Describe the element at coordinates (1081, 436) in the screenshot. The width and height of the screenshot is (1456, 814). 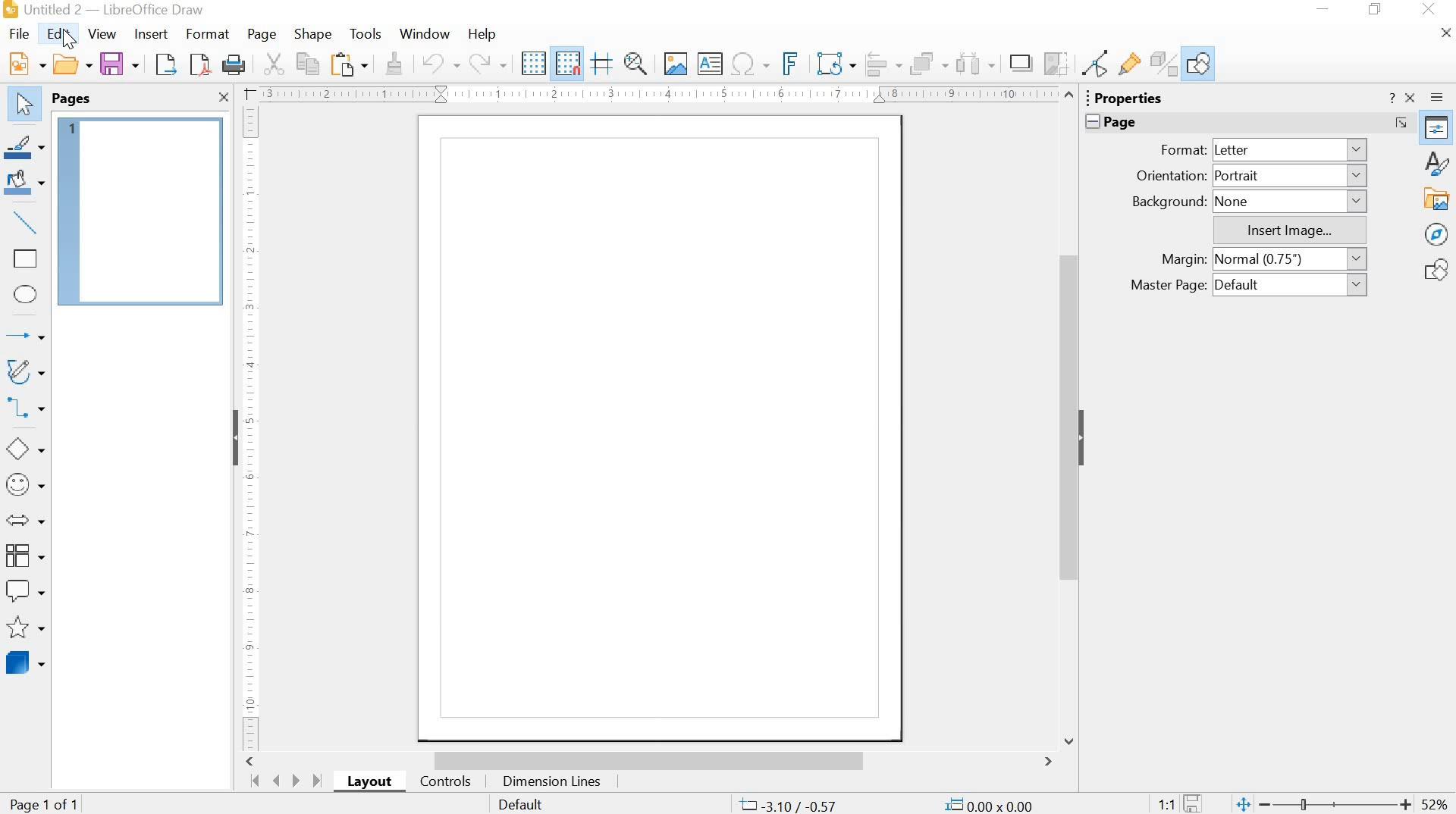
I see `Hide` at that location.